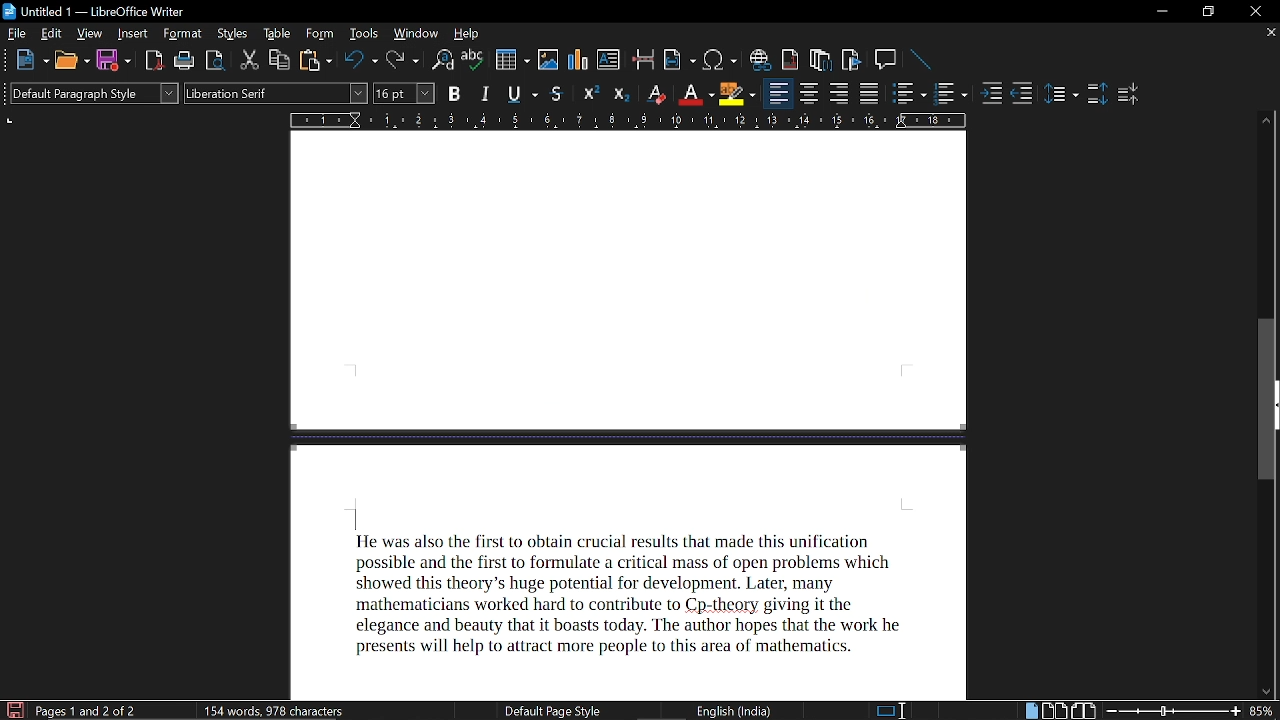 The height and width of the screenshot is (720, 1280). Describe the element at coordinates (921, 59) in the screenshot. I see `Line` at that location.